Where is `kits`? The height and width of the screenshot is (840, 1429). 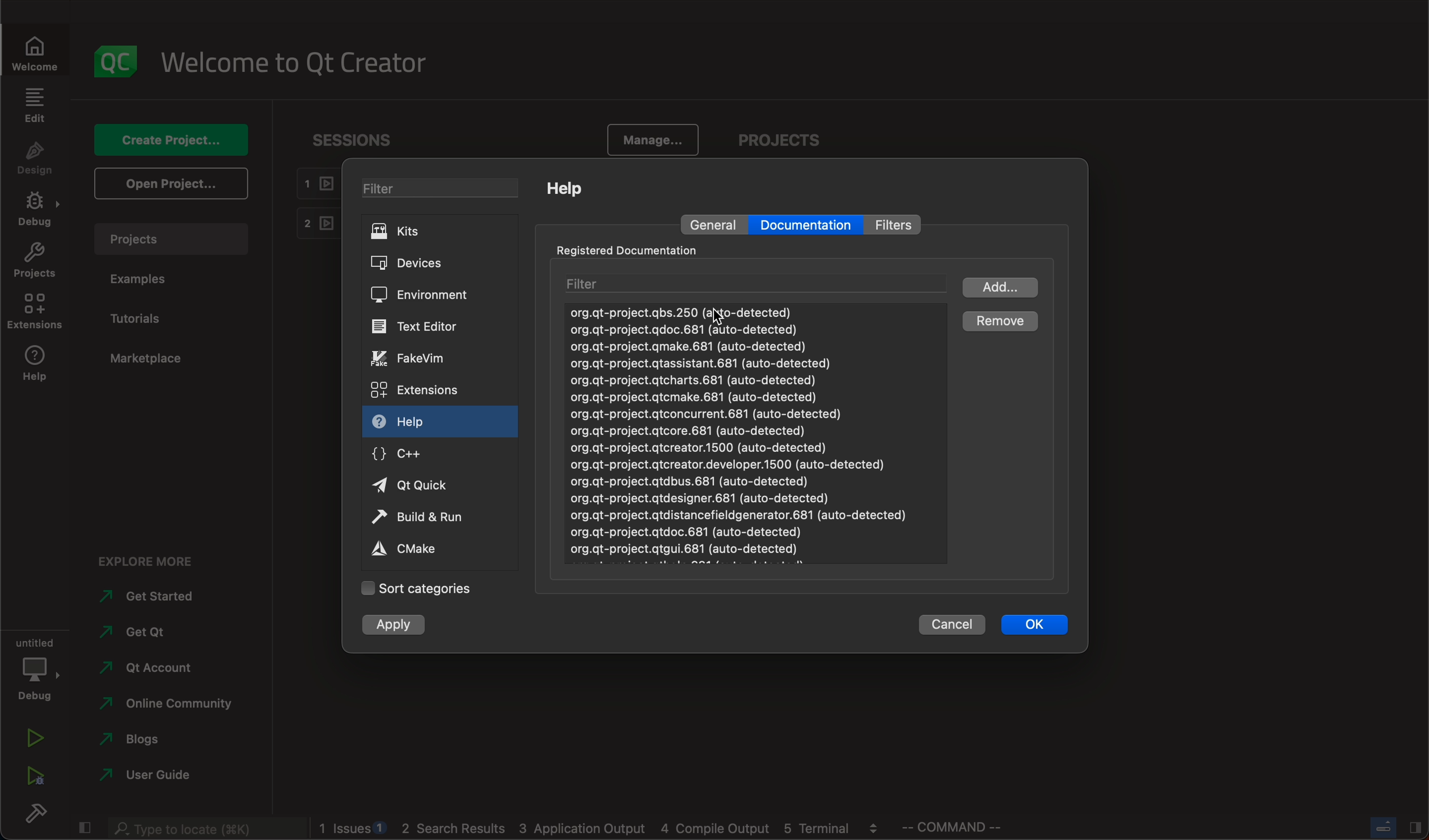 kits is located at coordinates (445, 234).